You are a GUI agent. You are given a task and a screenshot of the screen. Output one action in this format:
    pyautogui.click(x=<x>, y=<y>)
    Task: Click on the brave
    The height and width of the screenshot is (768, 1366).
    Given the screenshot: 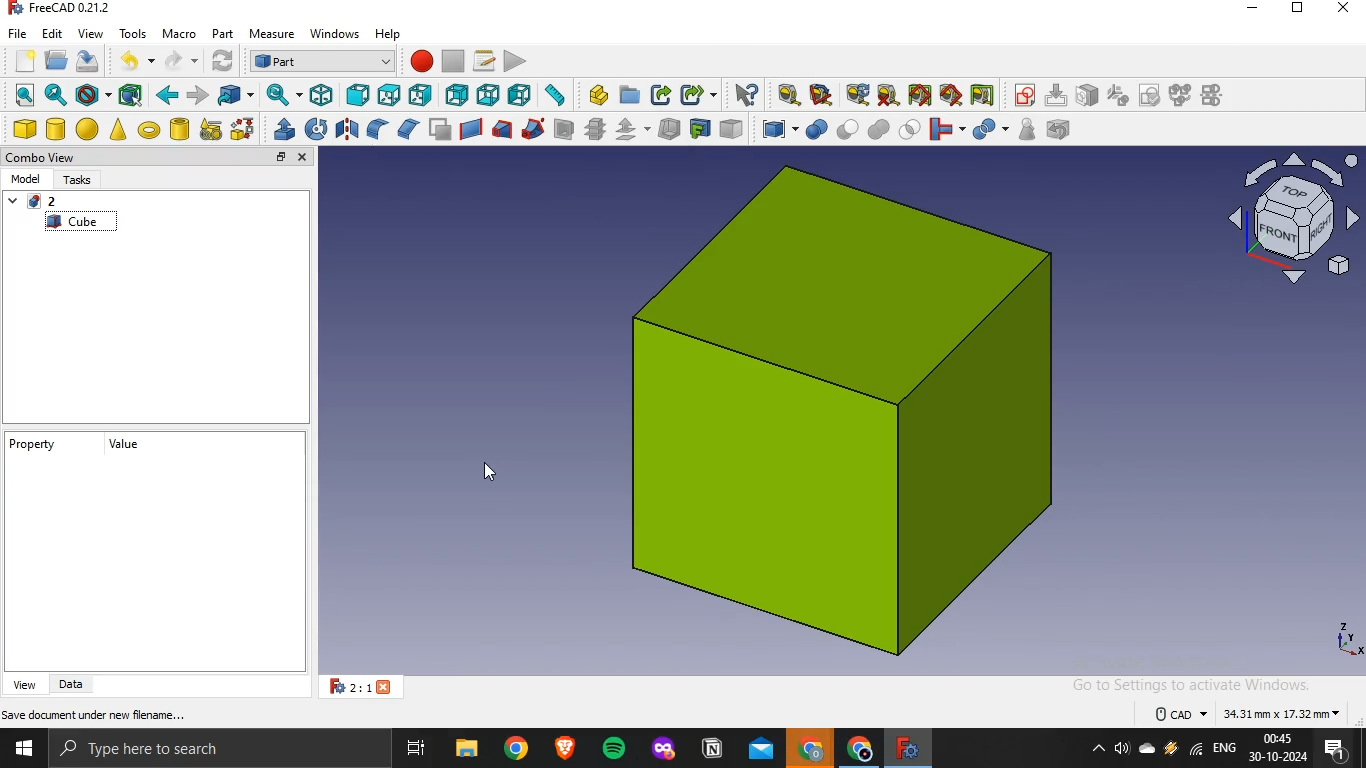 What is the action you would take?
    pyautogui.click(x=565, y=748)
    